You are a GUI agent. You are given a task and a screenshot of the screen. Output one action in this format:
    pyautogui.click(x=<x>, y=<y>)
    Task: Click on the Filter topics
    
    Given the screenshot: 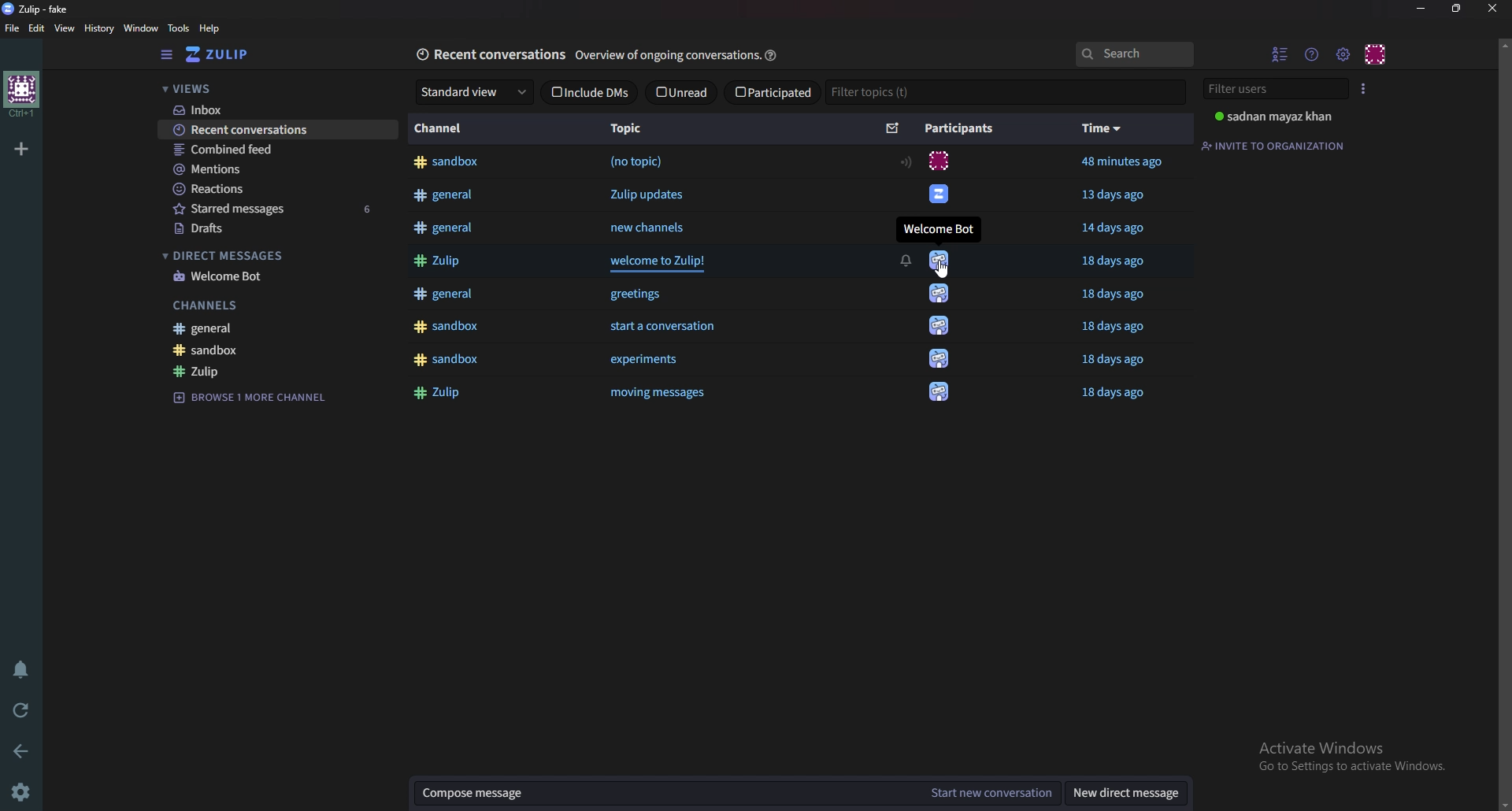 What is the action you would take?
    pyautogui.click(x=884, y=93)
    